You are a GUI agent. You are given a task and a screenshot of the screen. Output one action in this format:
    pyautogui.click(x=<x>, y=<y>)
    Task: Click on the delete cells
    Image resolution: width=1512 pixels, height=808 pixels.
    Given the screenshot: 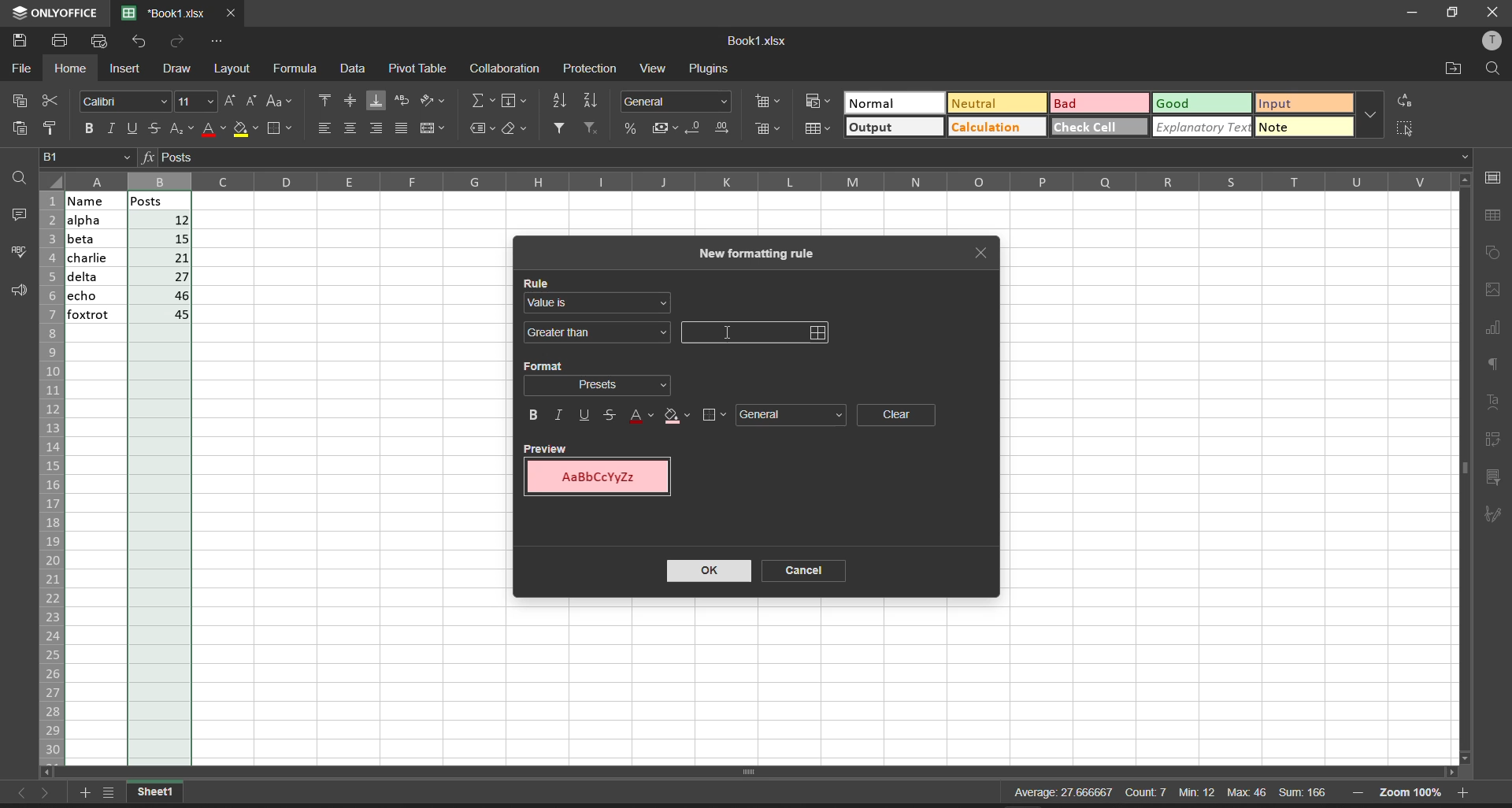 What is the action you would take?
    pyautogui.click(x=770, y=129)
    